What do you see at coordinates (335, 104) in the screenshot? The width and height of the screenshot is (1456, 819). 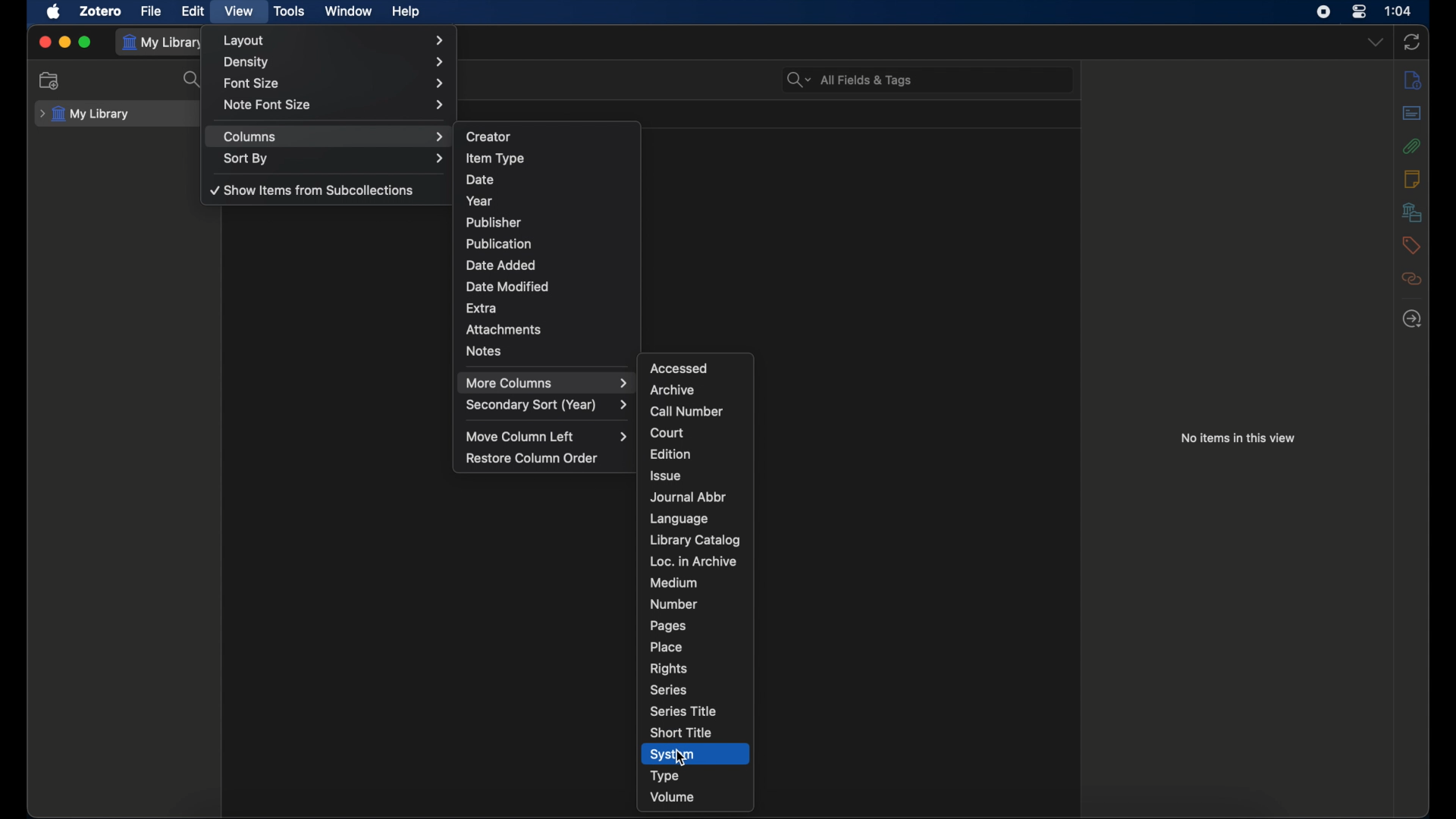 I see `note font size` at bounding box center [335, 104].